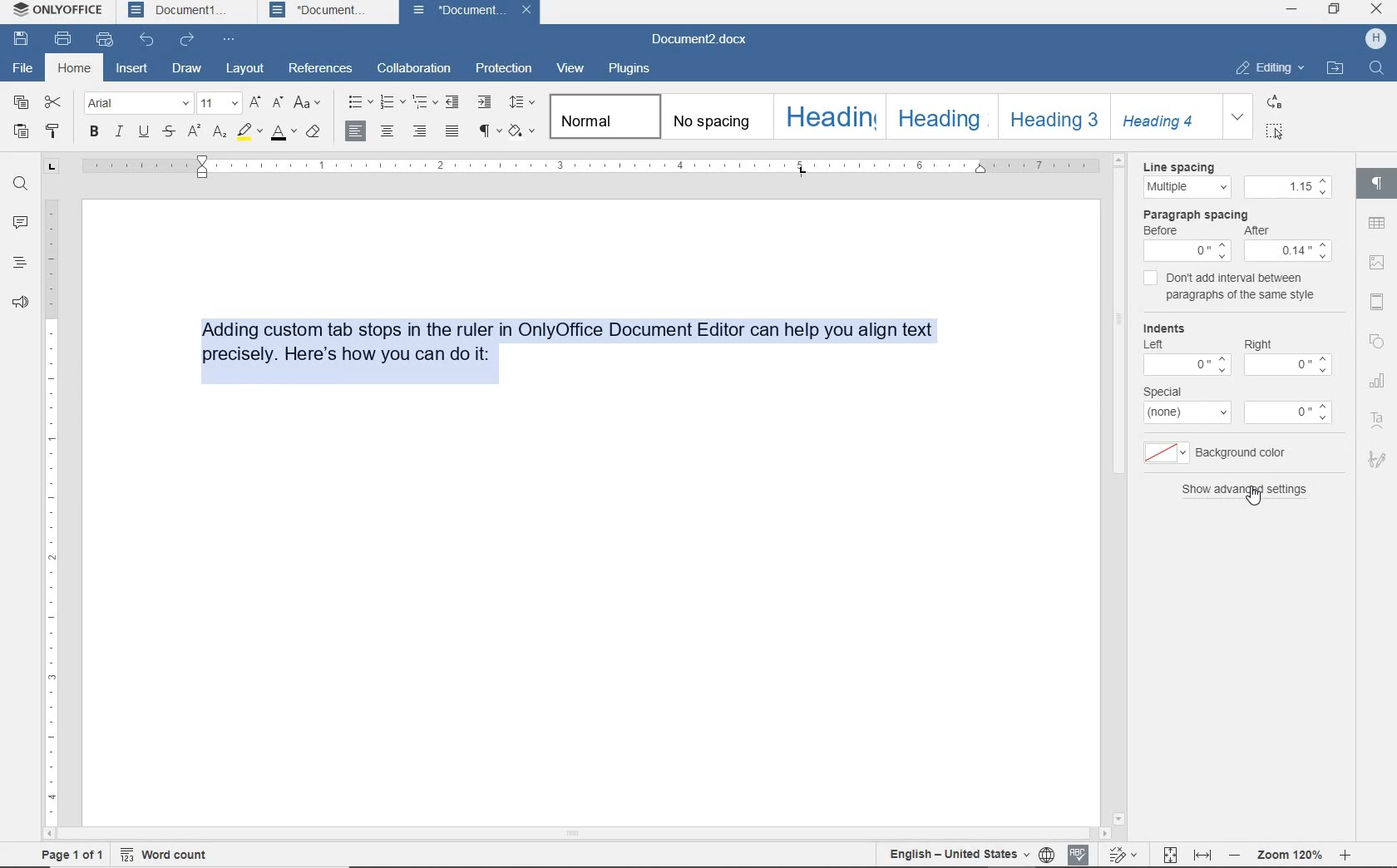  What do you see at coordinates (1380, 340) in the screenshot?
I see `shape` at bounding box center [1380, 340].